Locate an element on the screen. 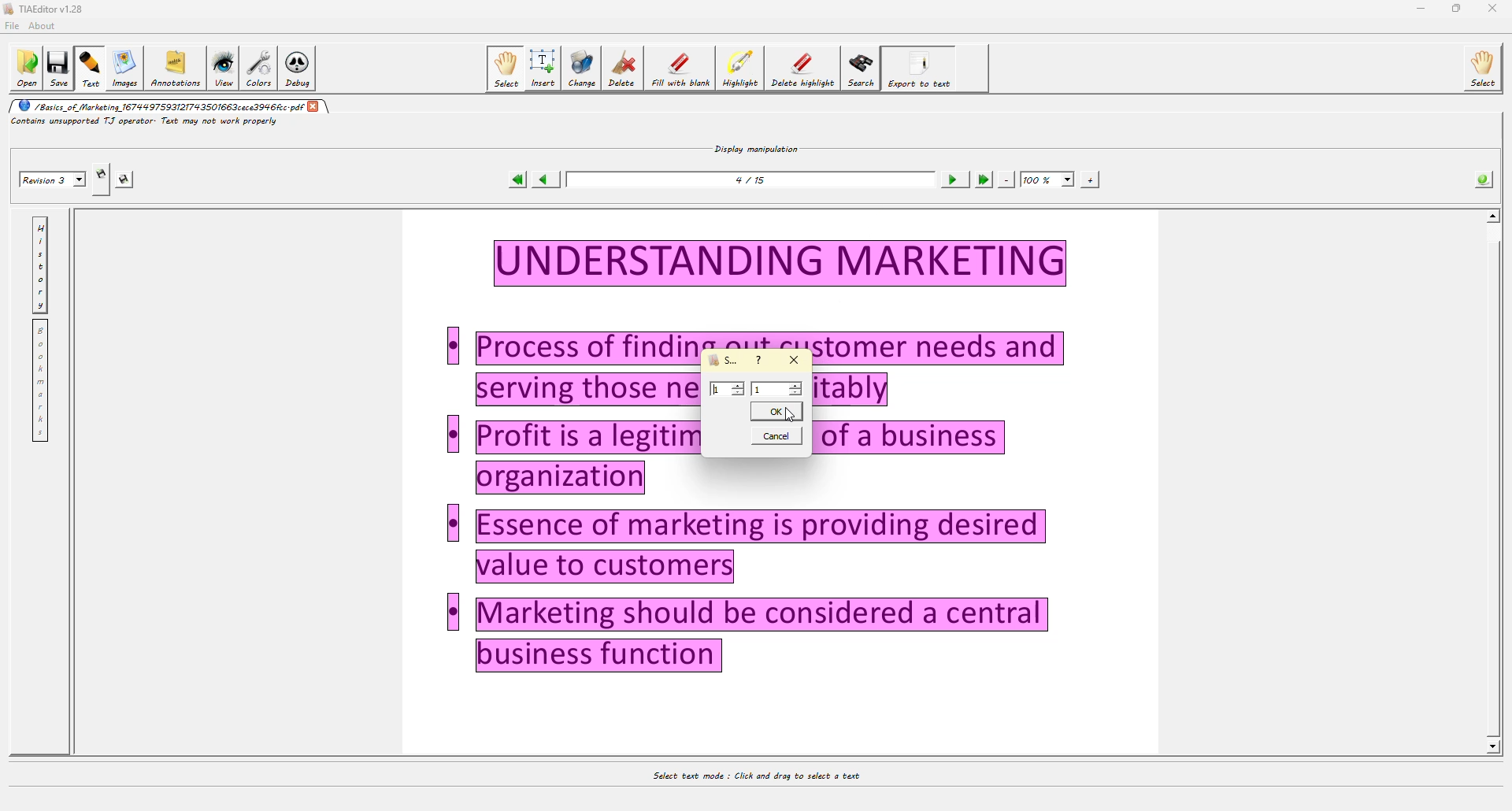 The height and width of the screenshot is (811, 1512). view is located at coordinates (221, 70).